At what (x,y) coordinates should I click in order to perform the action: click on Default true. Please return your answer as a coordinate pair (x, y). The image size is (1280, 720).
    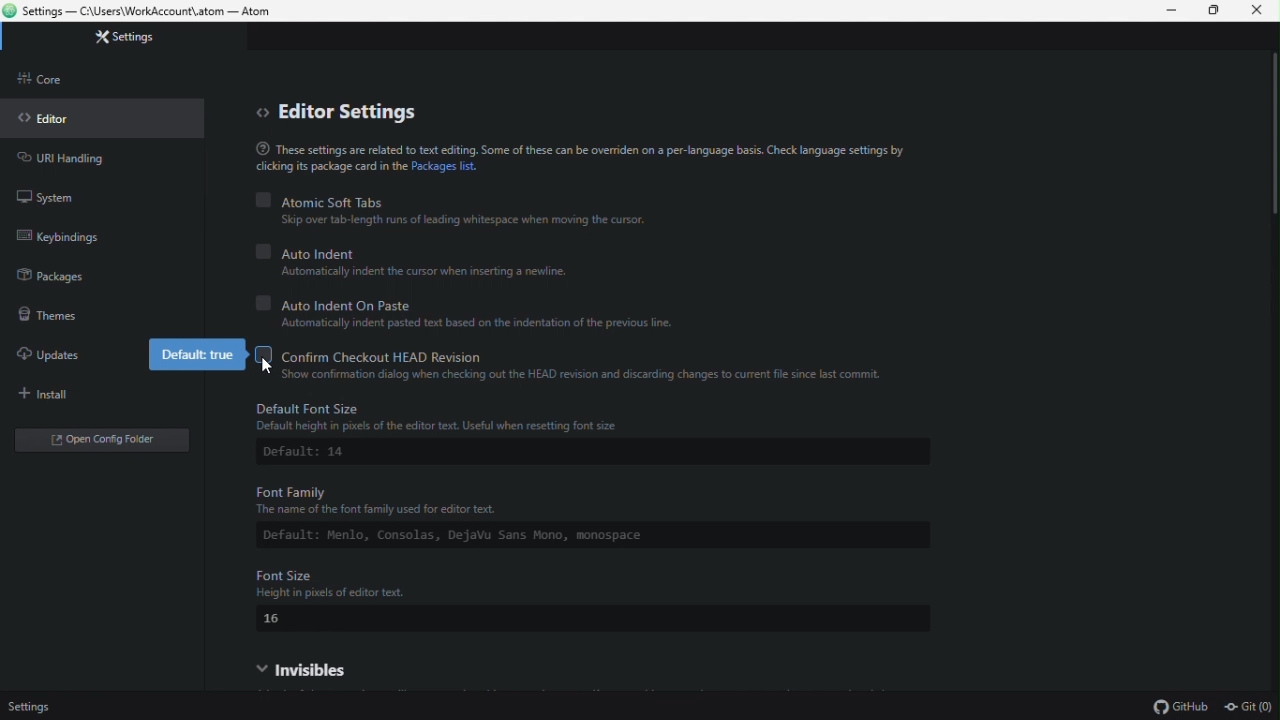
    Looking at the image, I should click on (193, 357).